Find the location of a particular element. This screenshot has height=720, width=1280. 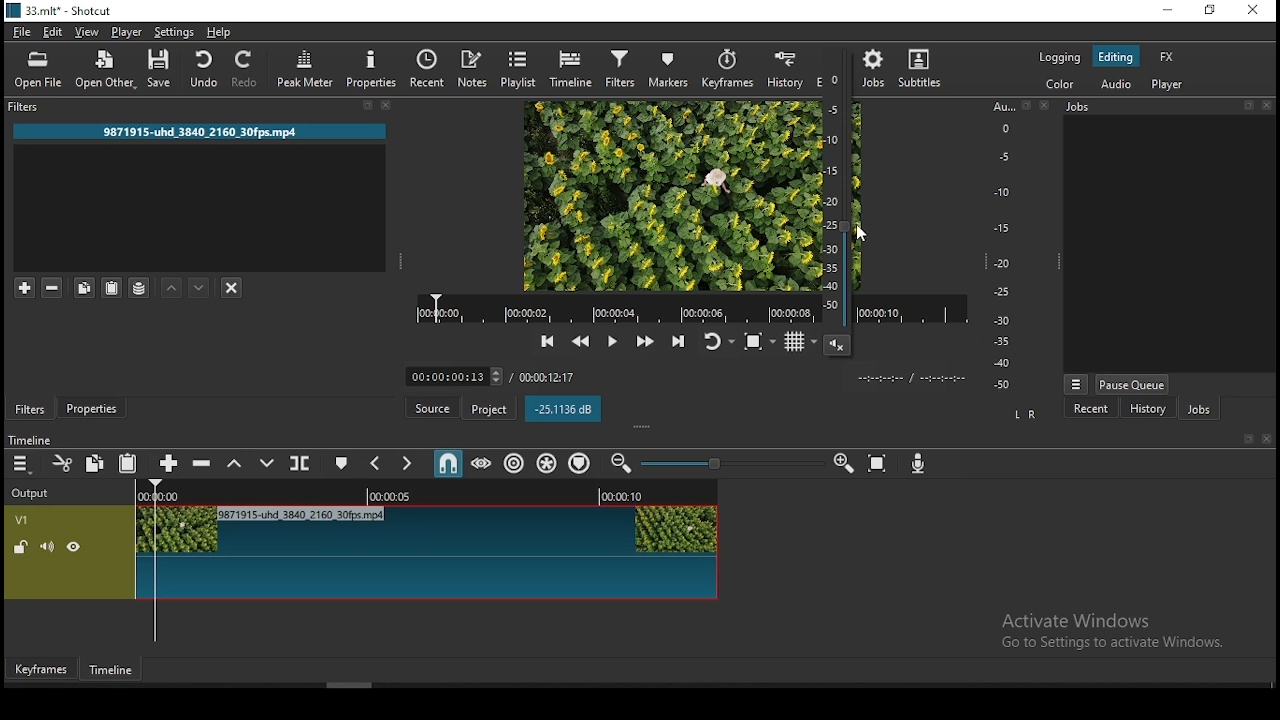

pause queue is located at coordinates (1134, 384).